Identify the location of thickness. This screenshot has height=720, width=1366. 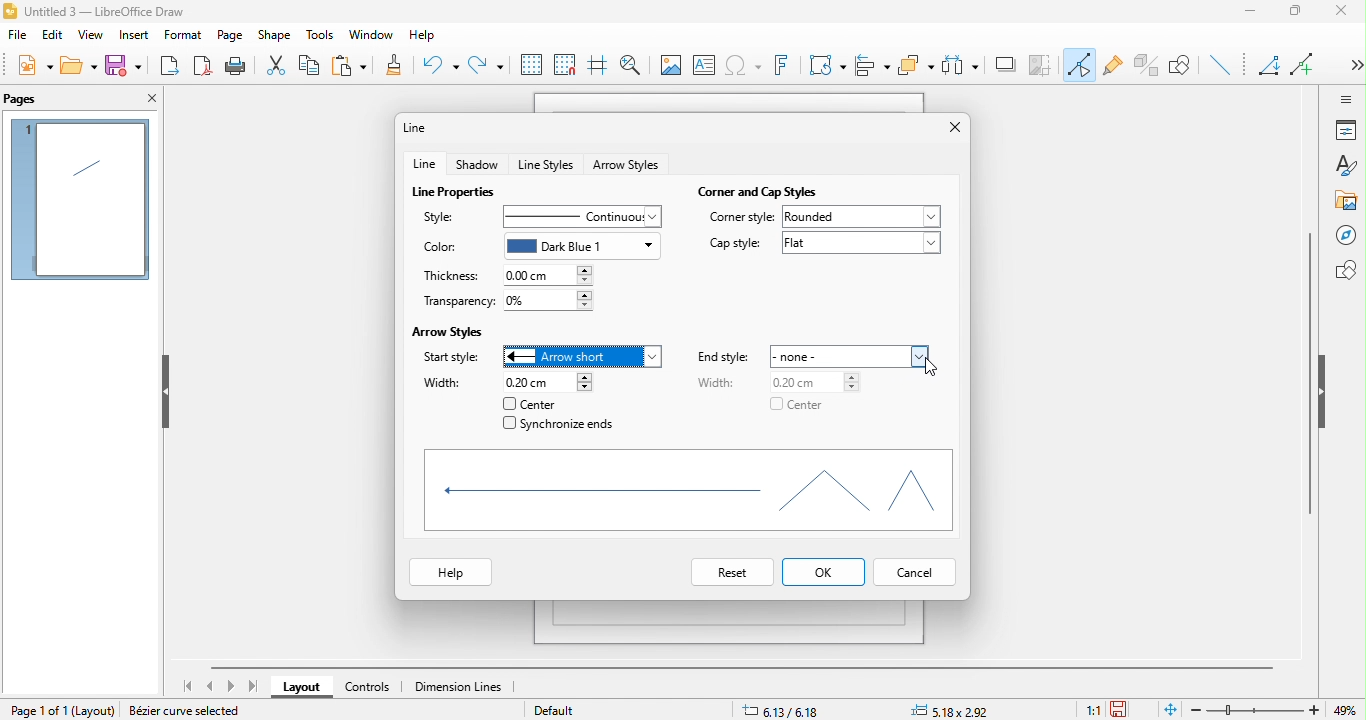
(456, 275).